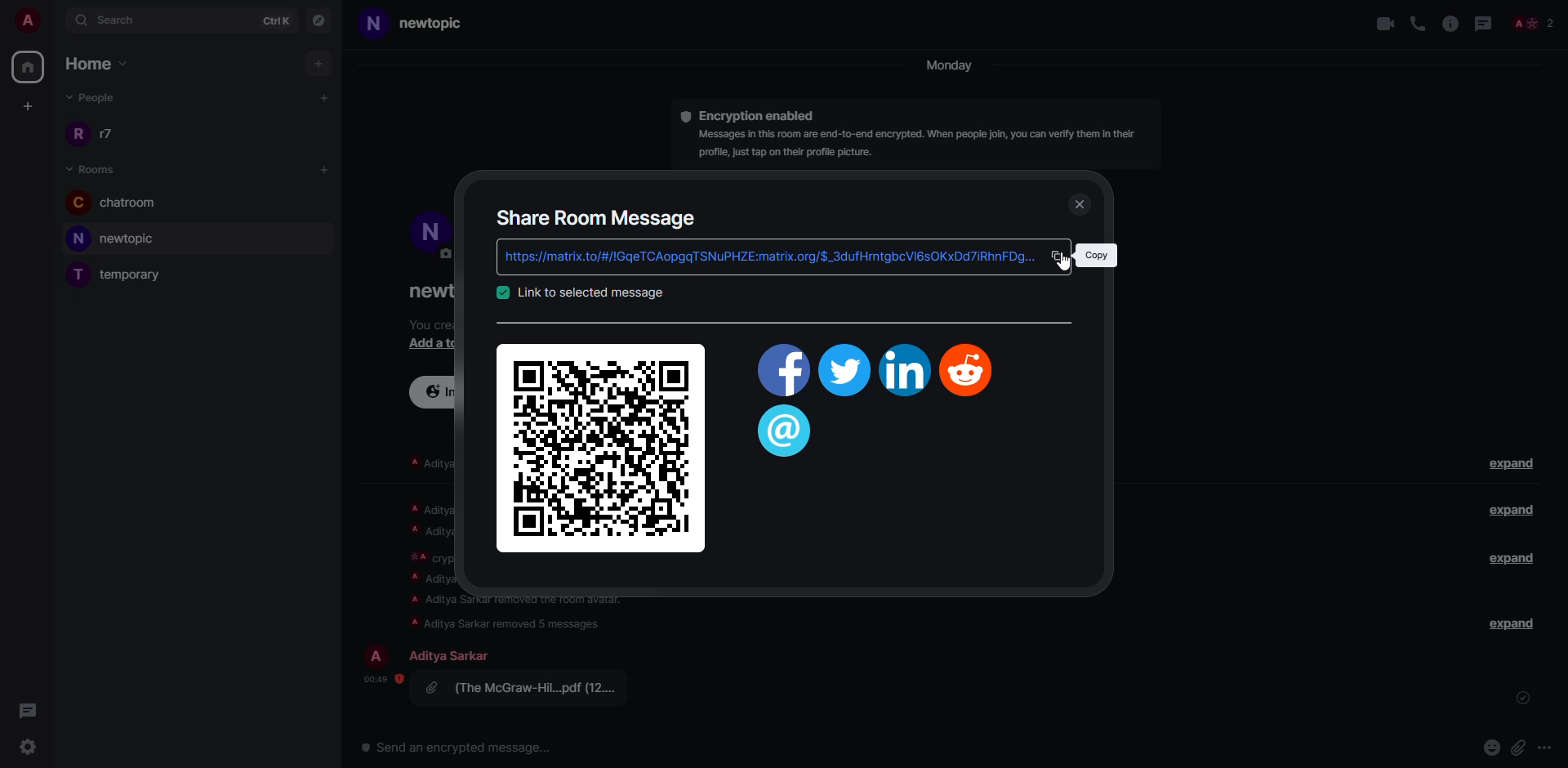 This screenshot has width=1568, height=768. Describe the element at coordinates (785, 432) in the screenshot. I see `threads` at that location.